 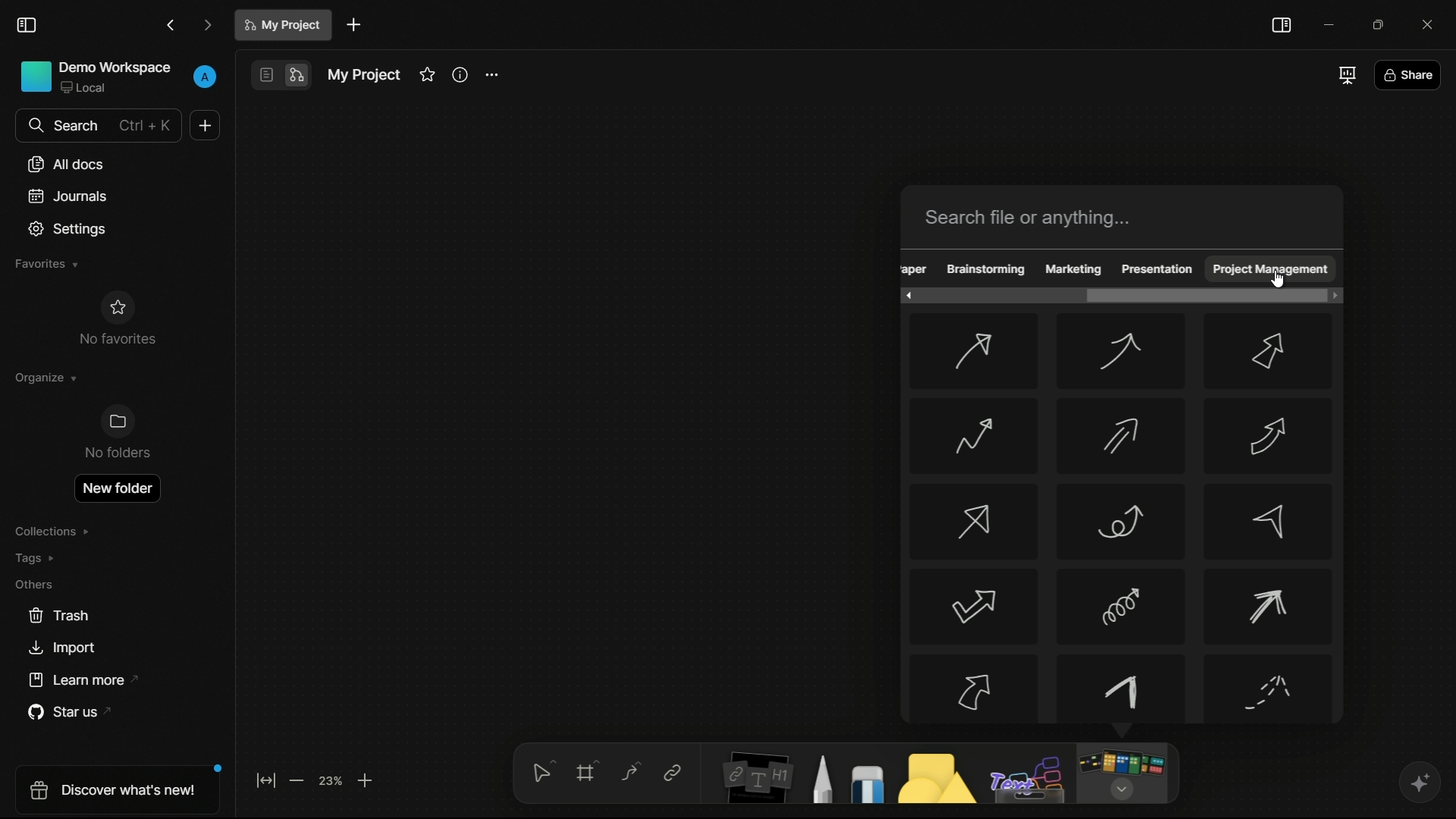 What do you see at coordinates (362, 75) in the screenshot?
I see `document name` at bounding box center [362, 75].